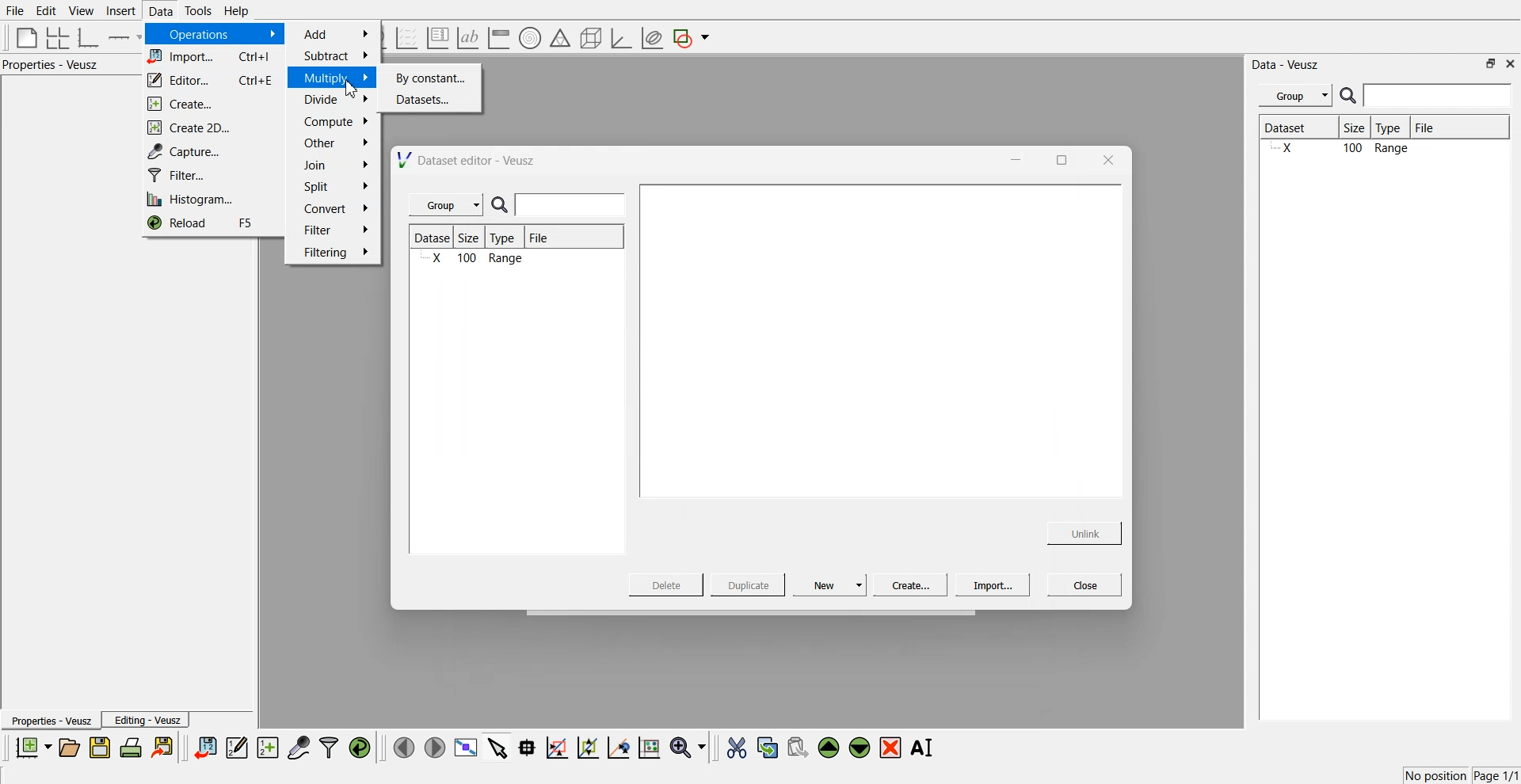 Image resolution: width=1521 pixels, height=784 pixels. Describe the element at coordinates (331, 188) in the screenshot. I see `Split` at that location.